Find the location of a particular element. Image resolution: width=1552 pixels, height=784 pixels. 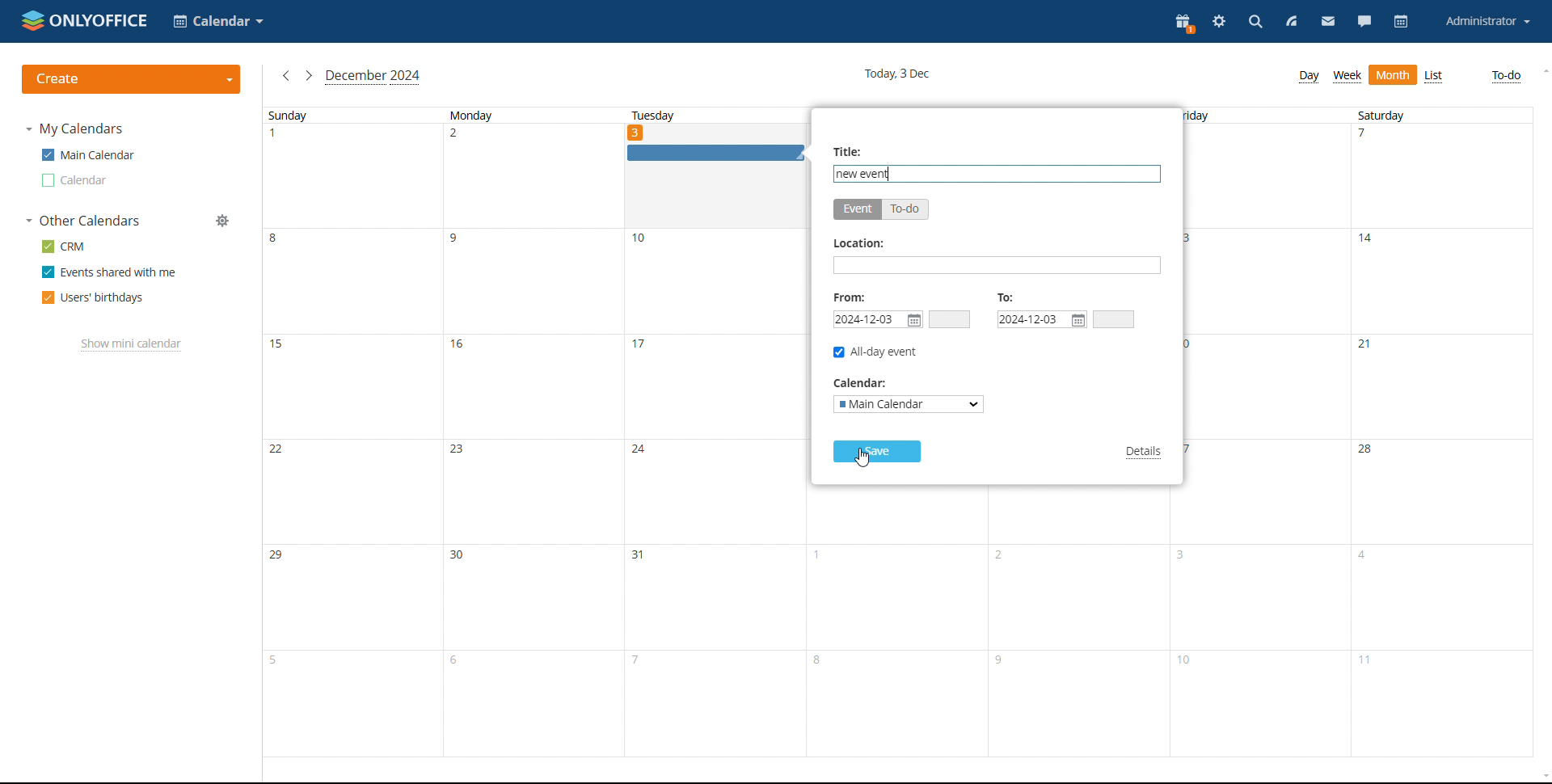

event name added is located at coordinates (864, 173).